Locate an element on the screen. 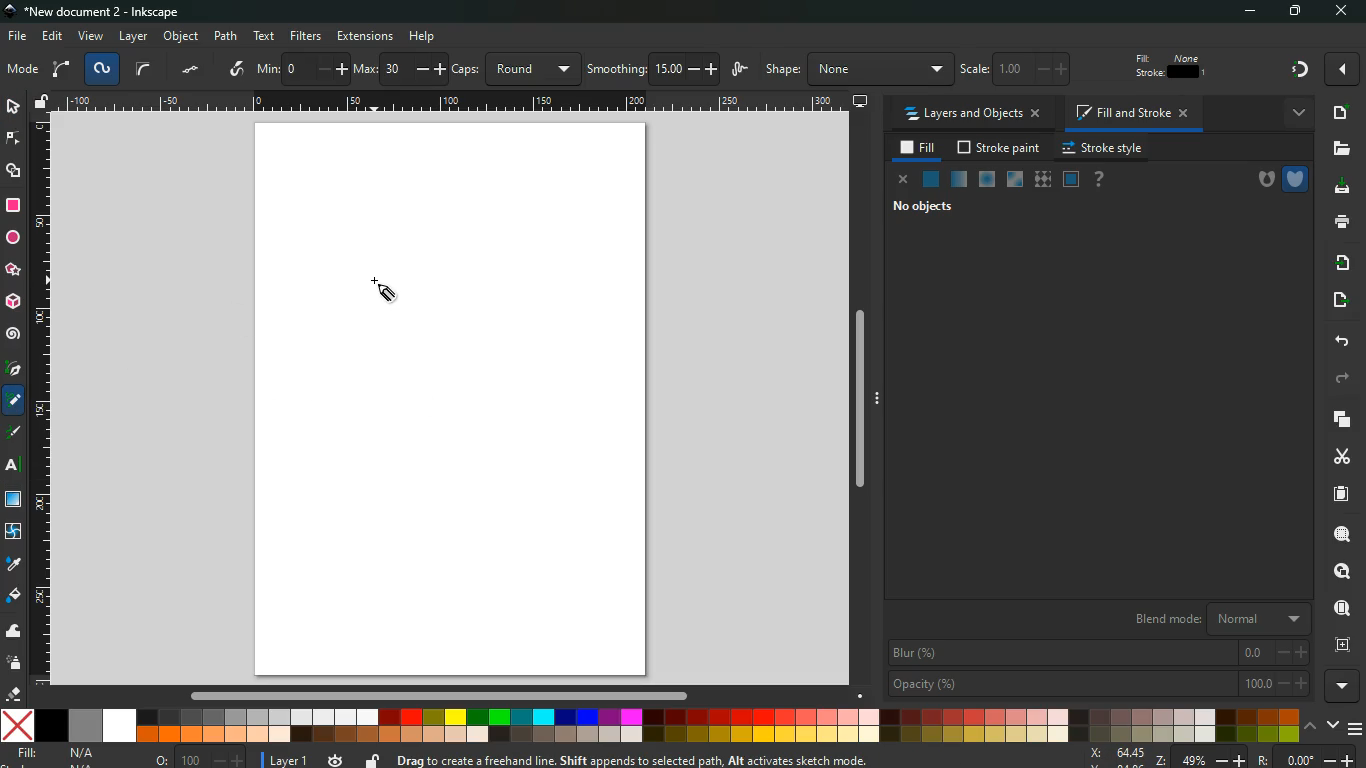 This screenshot has width=1366, height=768. layers is located at coordinates (1338, 419).